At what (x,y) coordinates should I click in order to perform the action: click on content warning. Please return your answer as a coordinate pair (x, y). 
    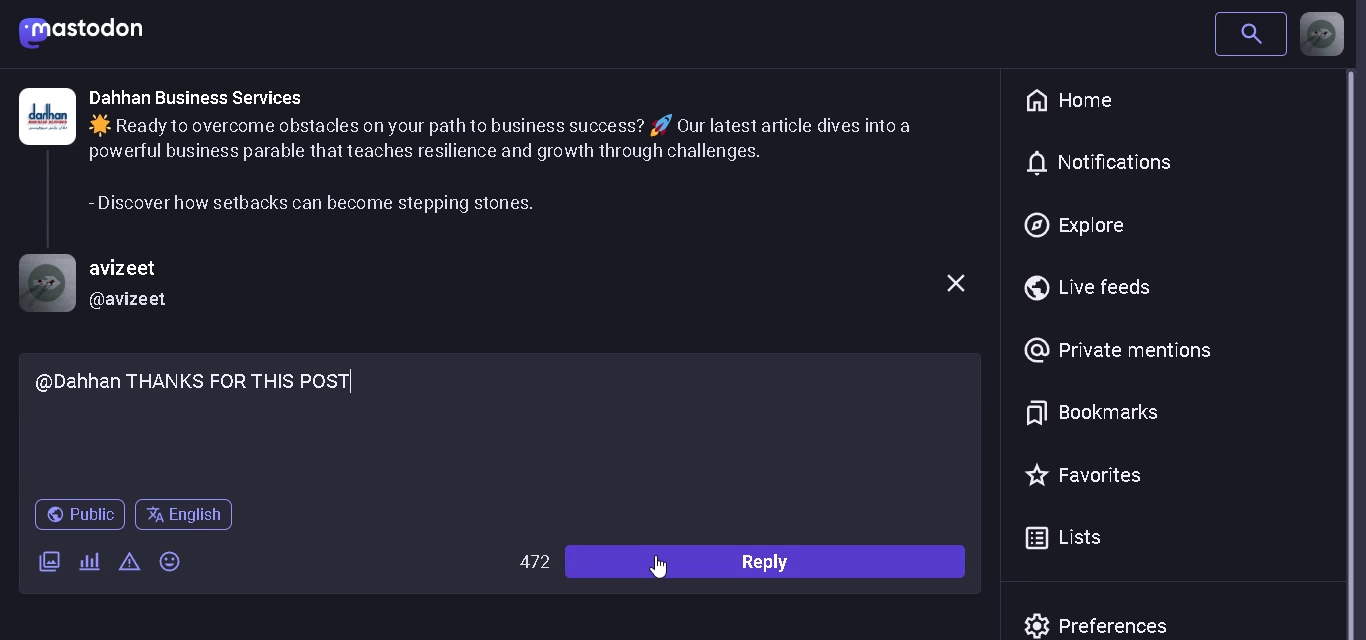
    Looking at the image, I should click on (130, 563).